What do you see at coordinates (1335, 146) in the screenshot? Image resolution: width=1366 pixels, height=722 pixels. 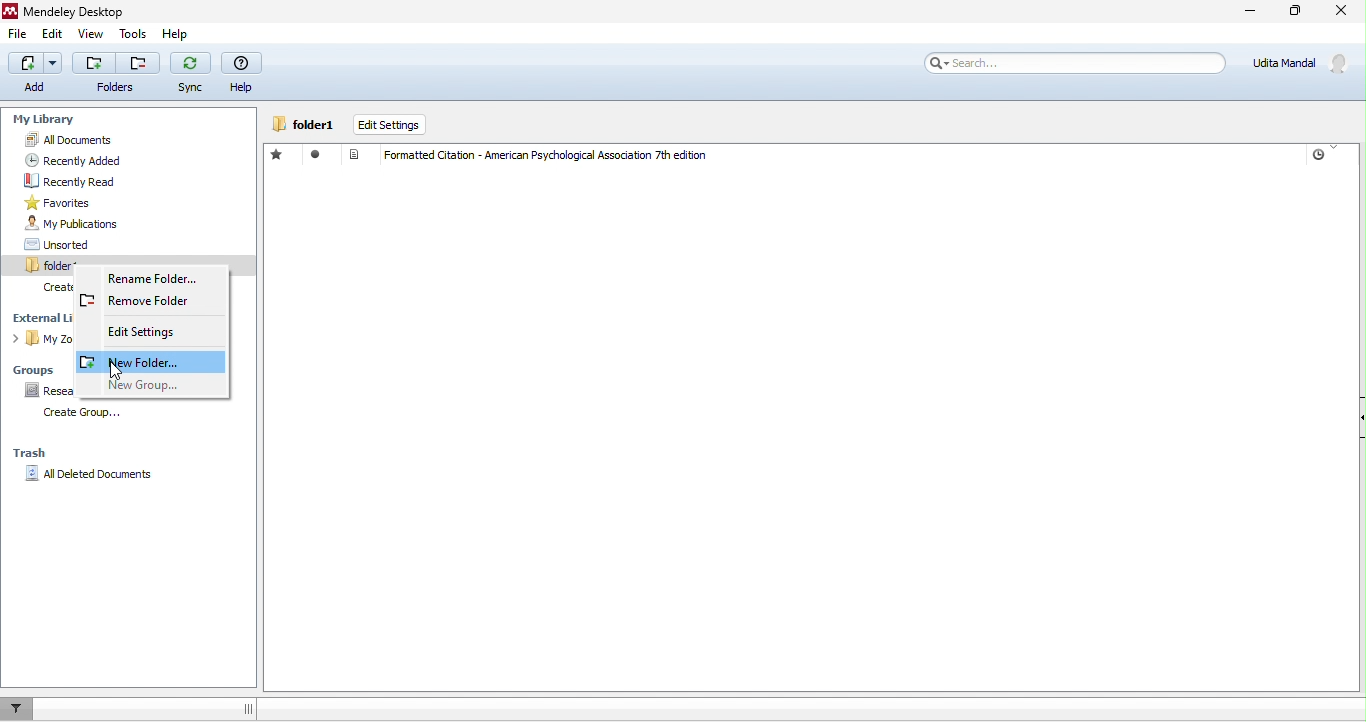 I see `Indicates current column sorting` at bounding box center [1335, 146].